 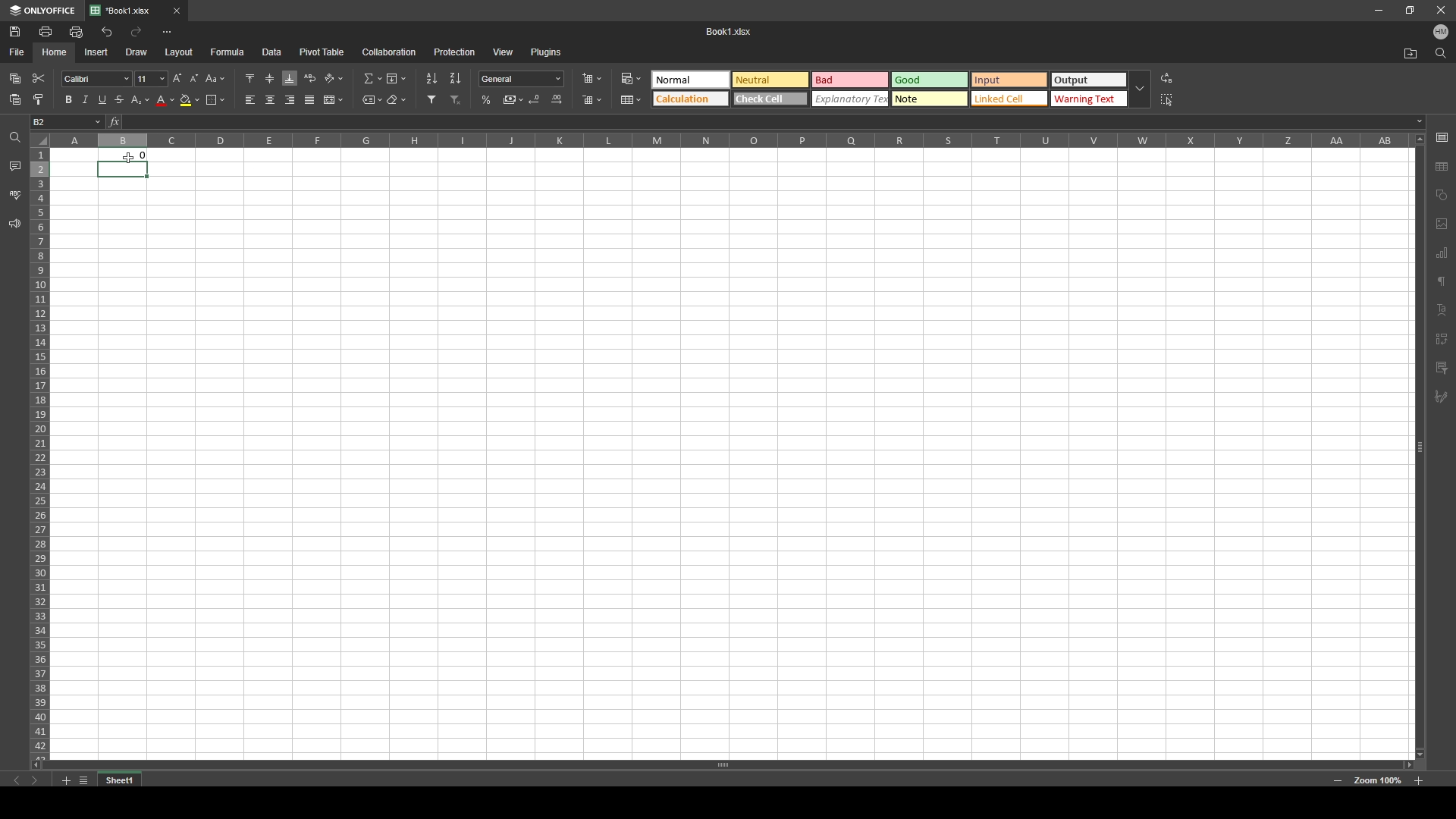 What do you see at coordinates (1410, 53) in the screenshot?
I see `locate file` at bounding box center [1410, 53].